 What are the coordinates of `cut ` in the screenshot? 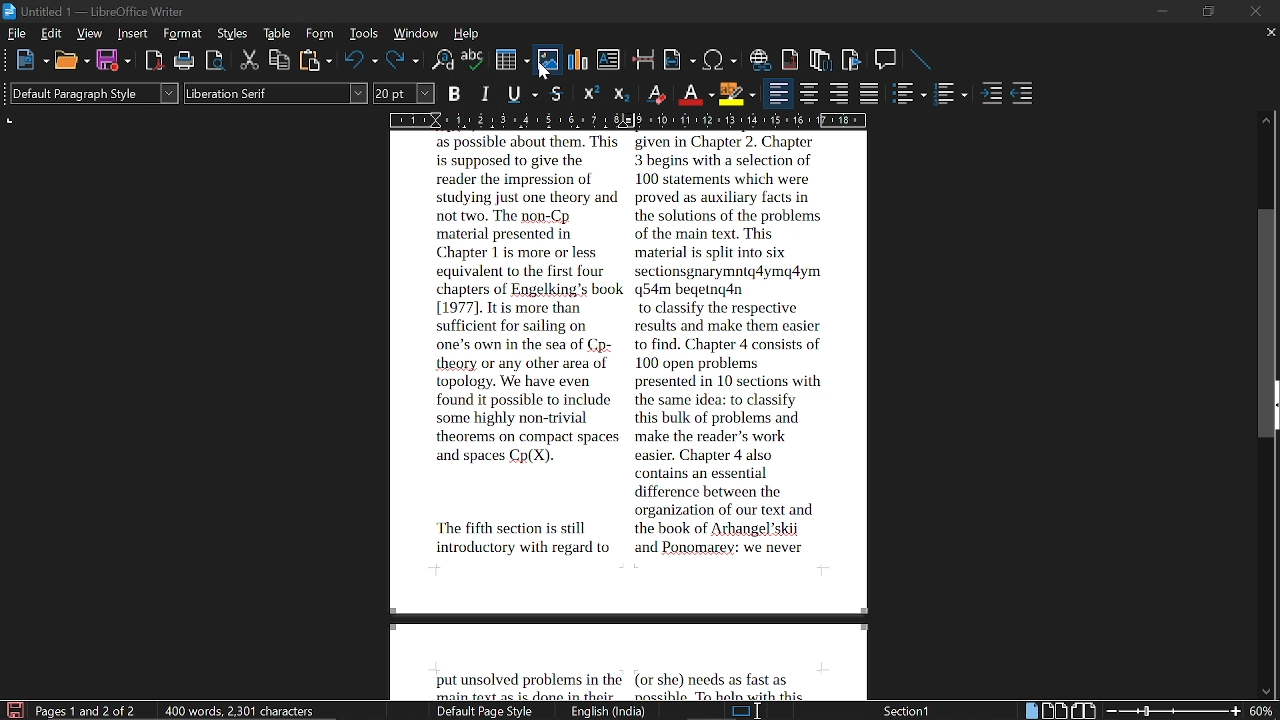 It's located at (246, 60).